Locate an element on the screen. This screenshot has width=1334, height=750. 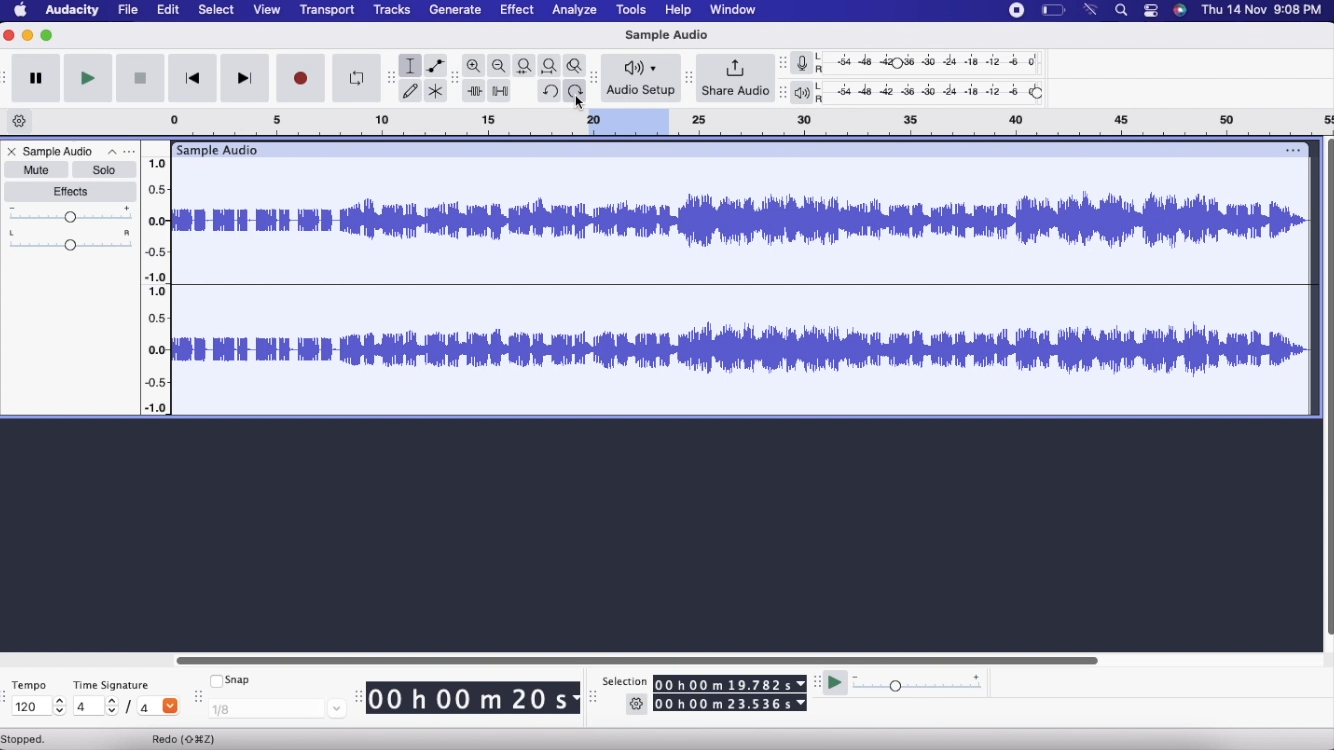
Selection is located at coordinates (621, 681).